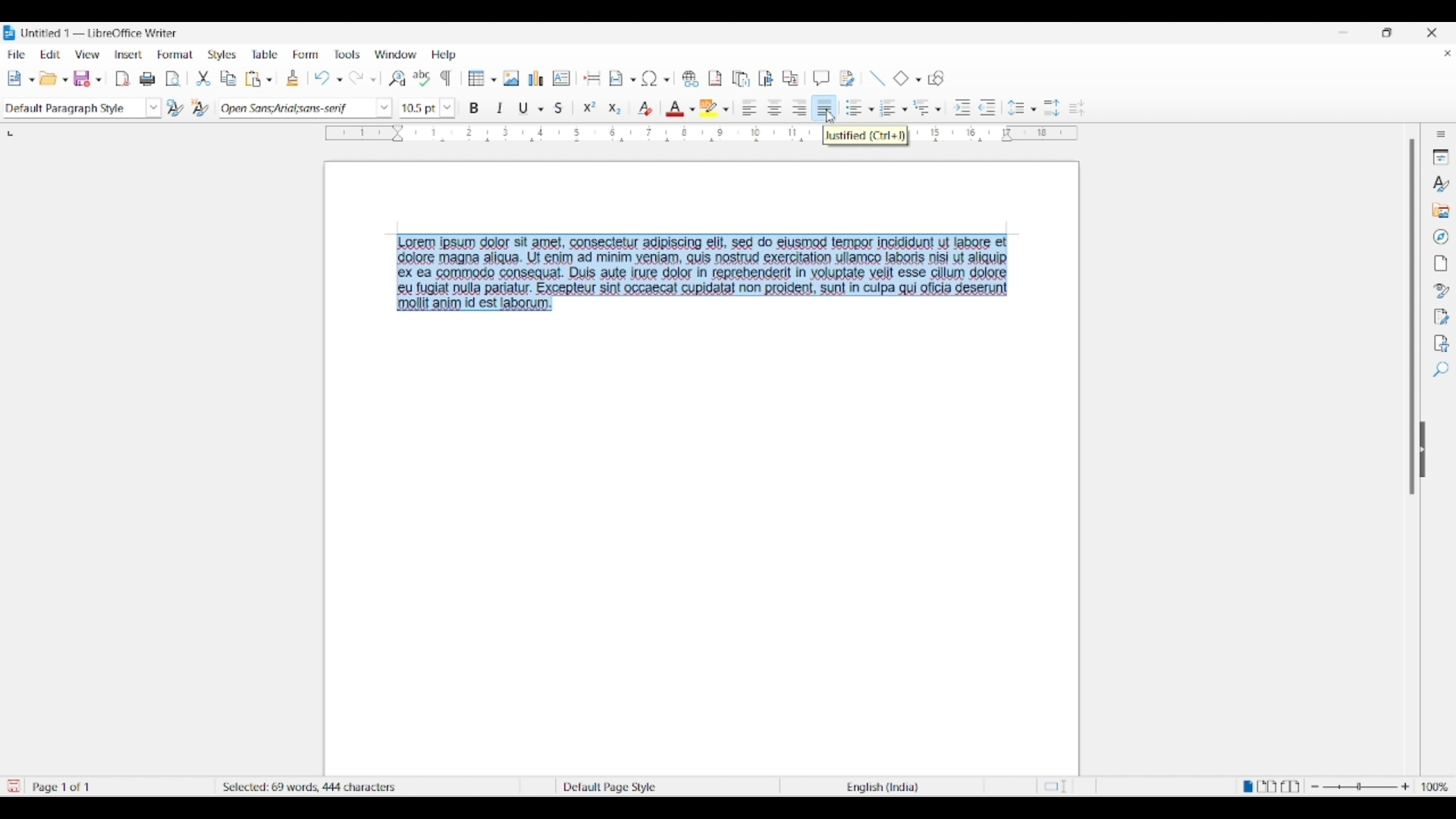  What do you see at coordinates (292, 77) in the screenshot?
I see `Clone formatting` at bounding box center [292, 77].